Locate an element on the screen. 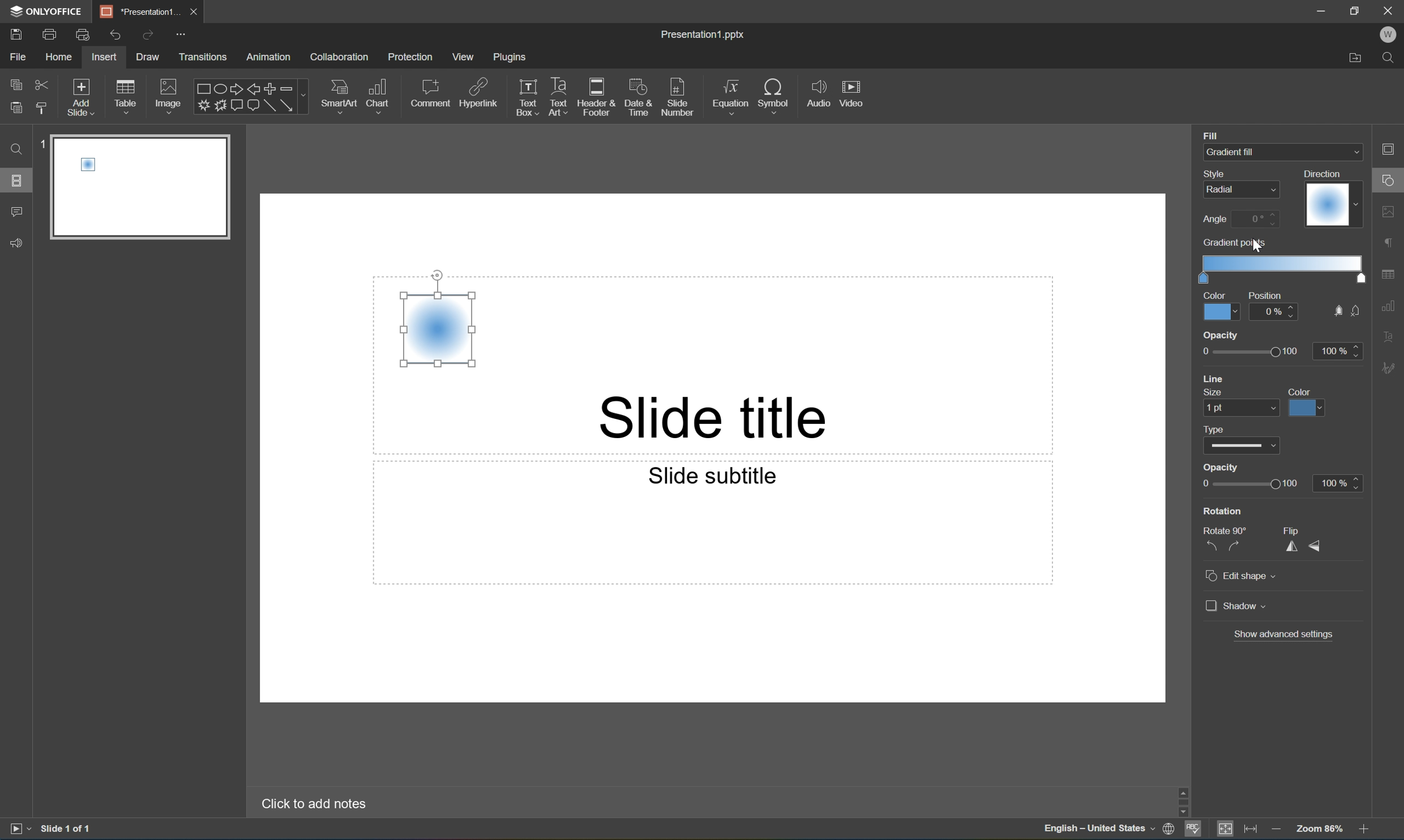 Image resolution: width=1404 pixels, height=840 pixels. Zoom out is located at coordinates (1273, 827).